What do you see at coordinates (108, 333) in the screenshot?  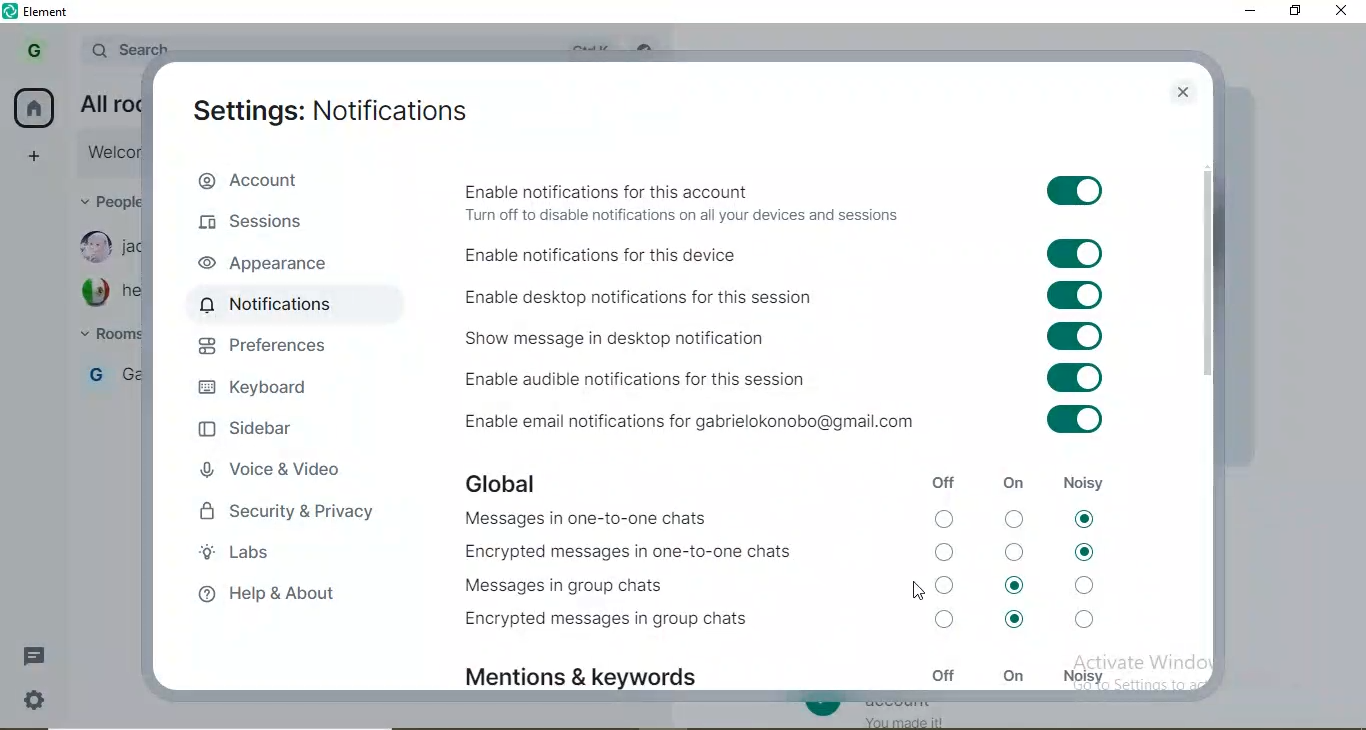 I see `rooms` at bounding box center [108, 333].